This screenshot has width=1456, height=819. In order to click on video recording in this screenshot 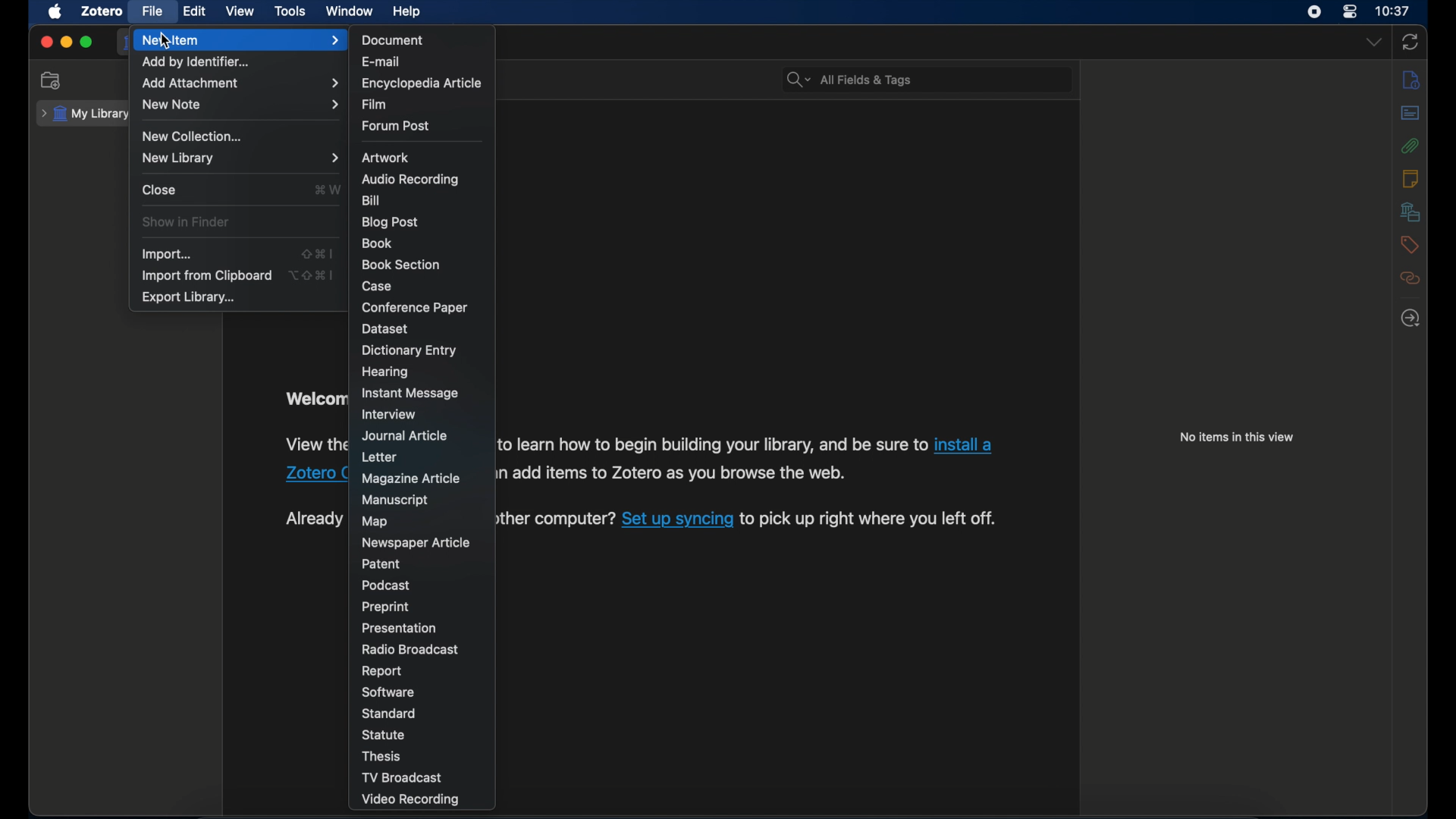, I will do `click(411, 800)`.